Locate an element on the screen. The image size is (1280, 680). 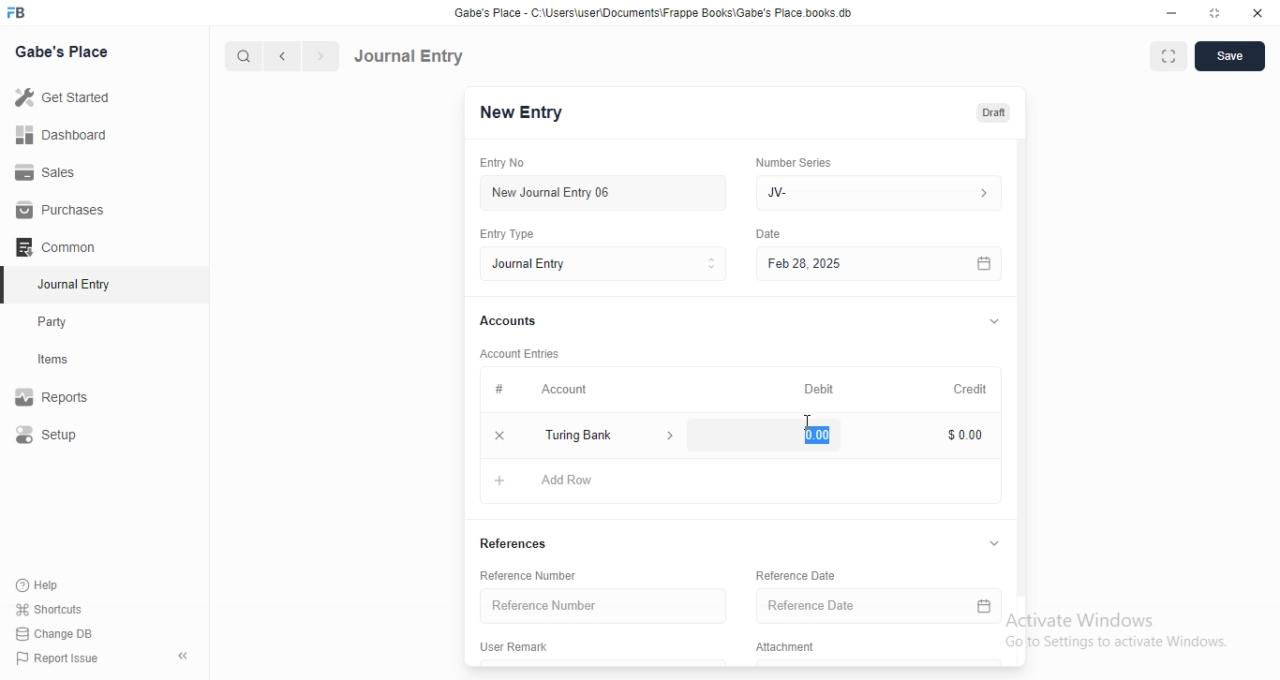
vertical scrollbar is located at coordinates (1022, 365).